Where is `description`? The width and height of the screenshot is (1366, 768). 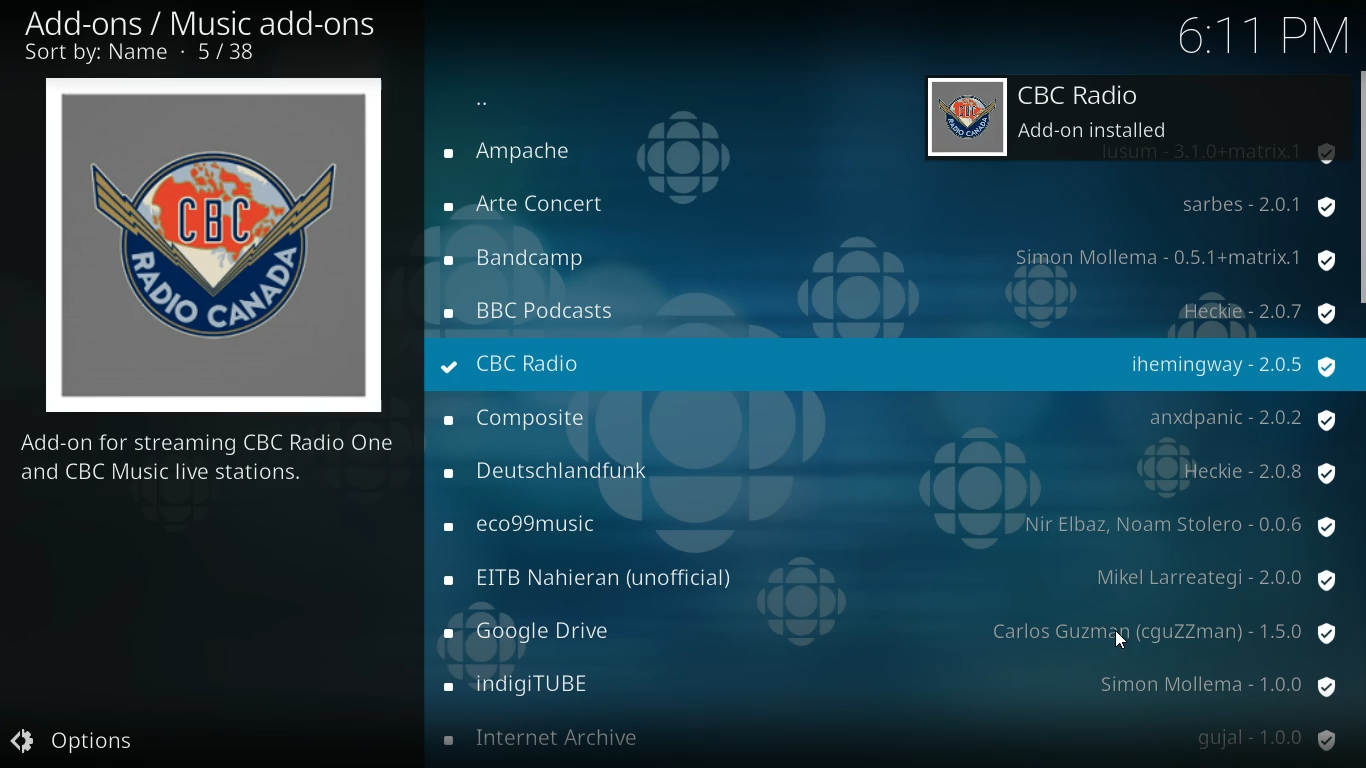
description is located at coordinates (213, 457).